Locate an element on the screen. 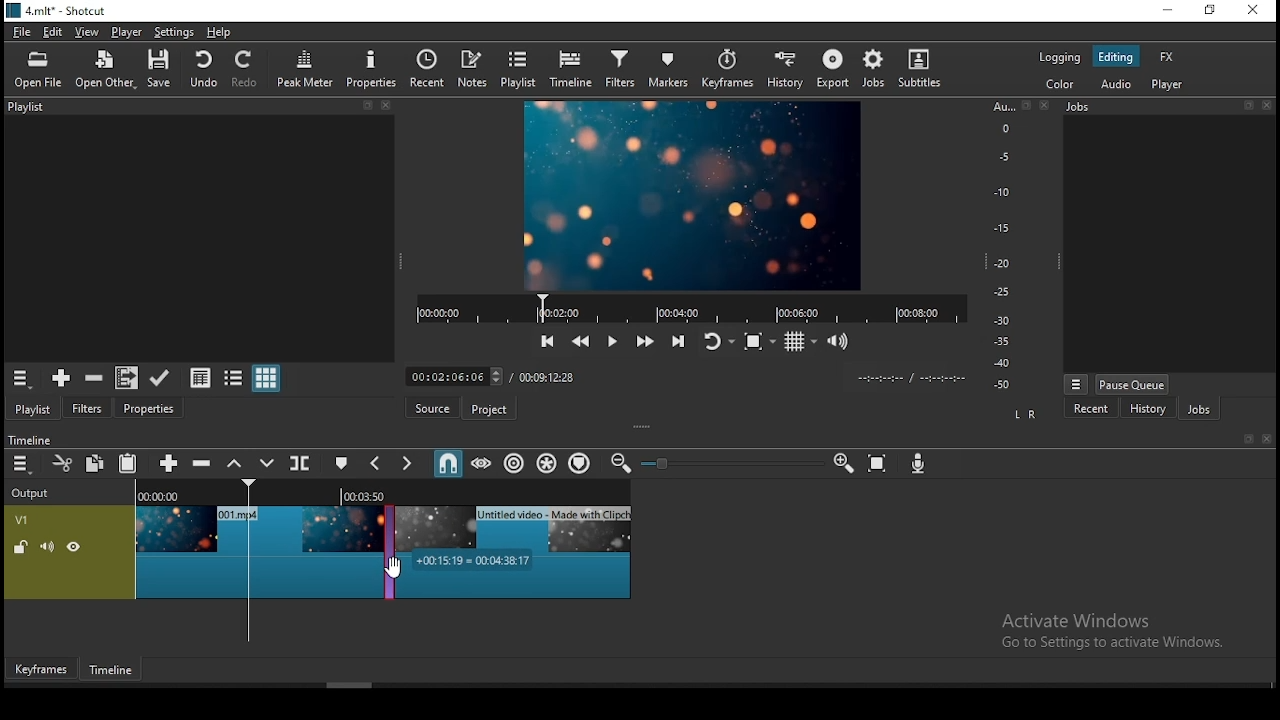 The height and width of the screenshot is (720, 1280). add files to playlist is located at coordinates (123, 378).